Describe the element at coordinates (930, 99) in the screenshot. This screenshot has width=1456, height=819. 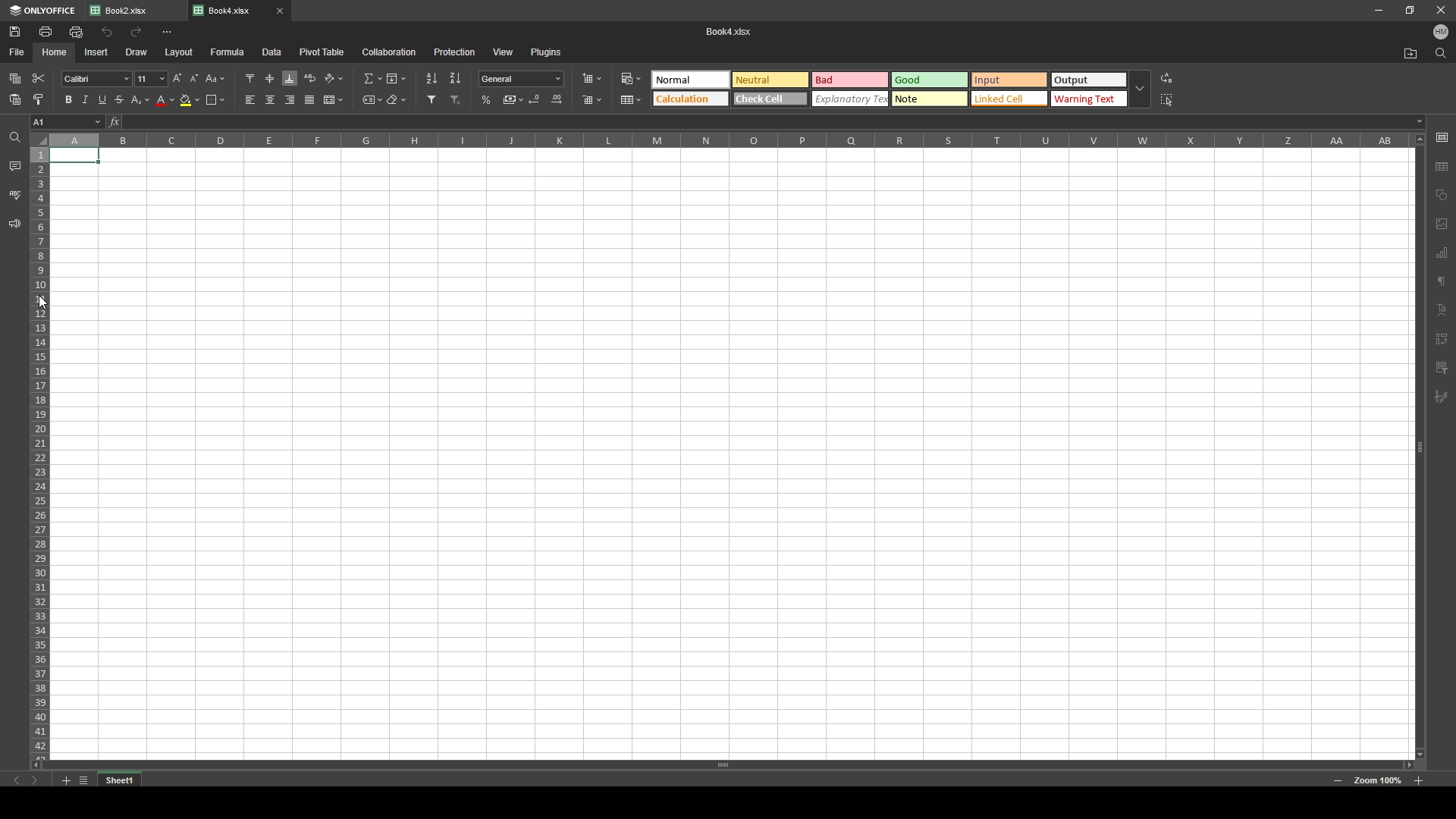
I see `Note` at that location.